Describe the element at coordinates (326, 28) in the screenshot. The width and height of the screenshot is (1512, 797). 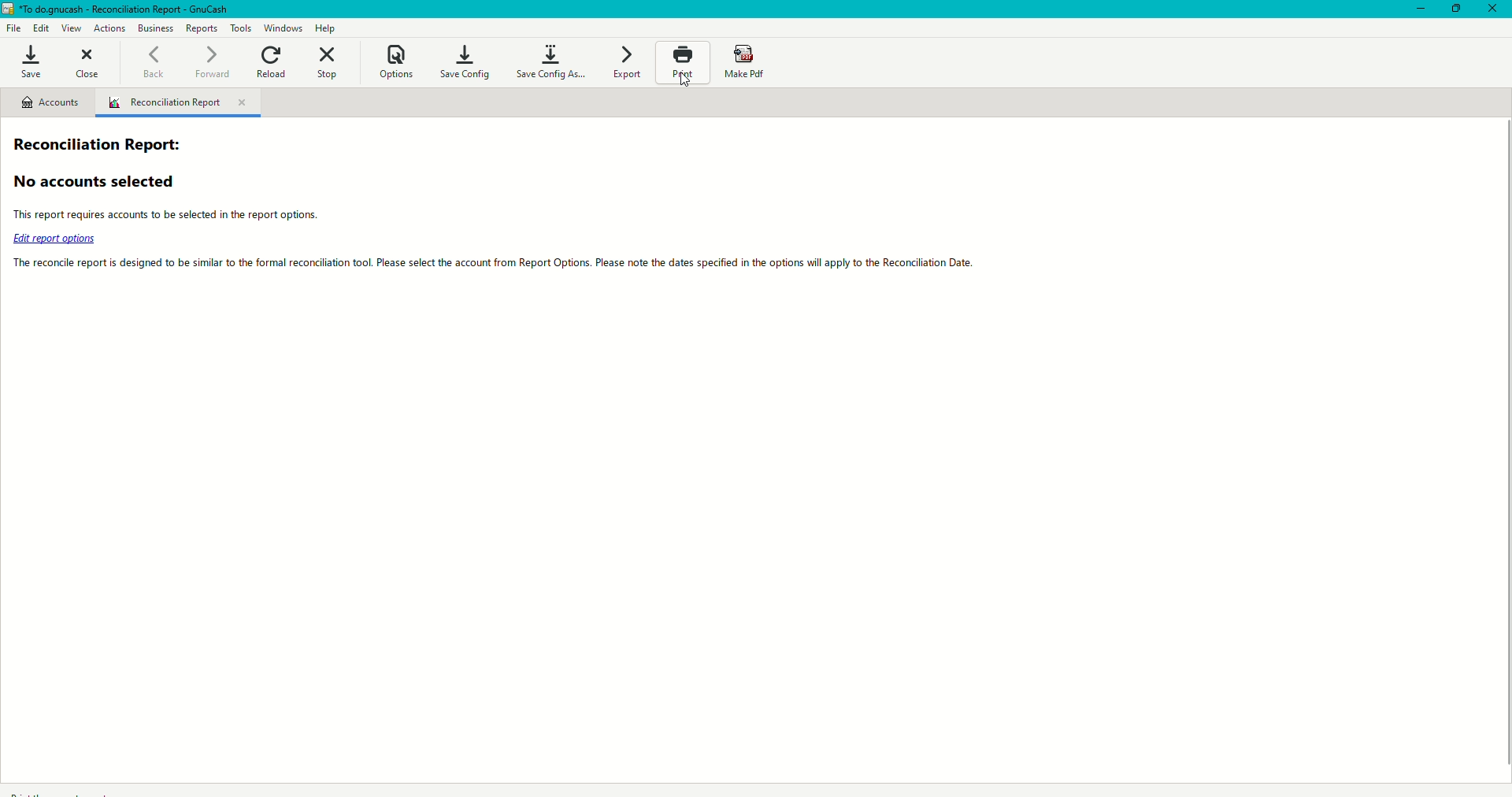
I see `Help` at that location.